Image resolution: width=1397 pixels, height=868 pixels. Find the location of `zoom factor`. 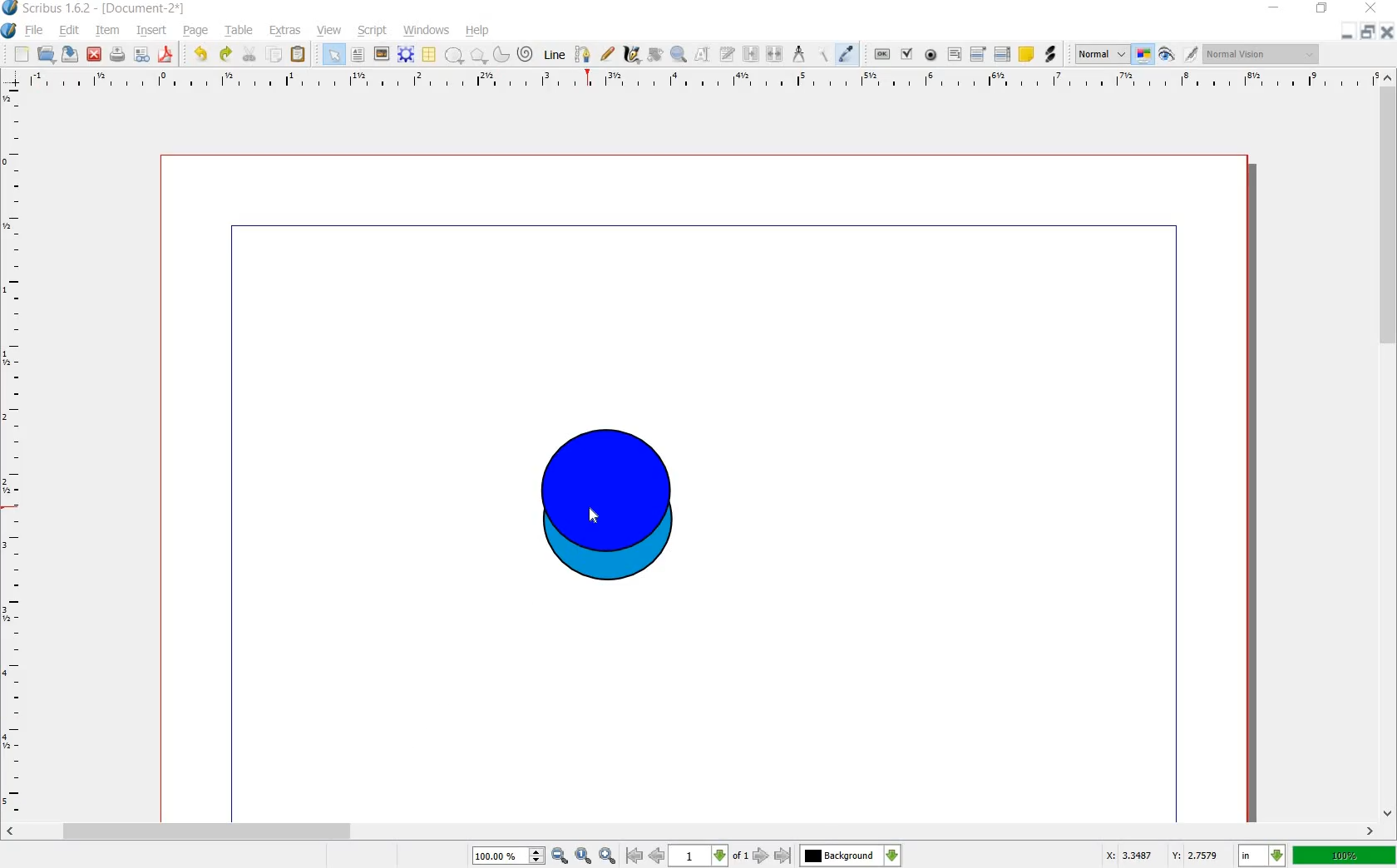

zoom factor is located at coordinates (1345, 857).